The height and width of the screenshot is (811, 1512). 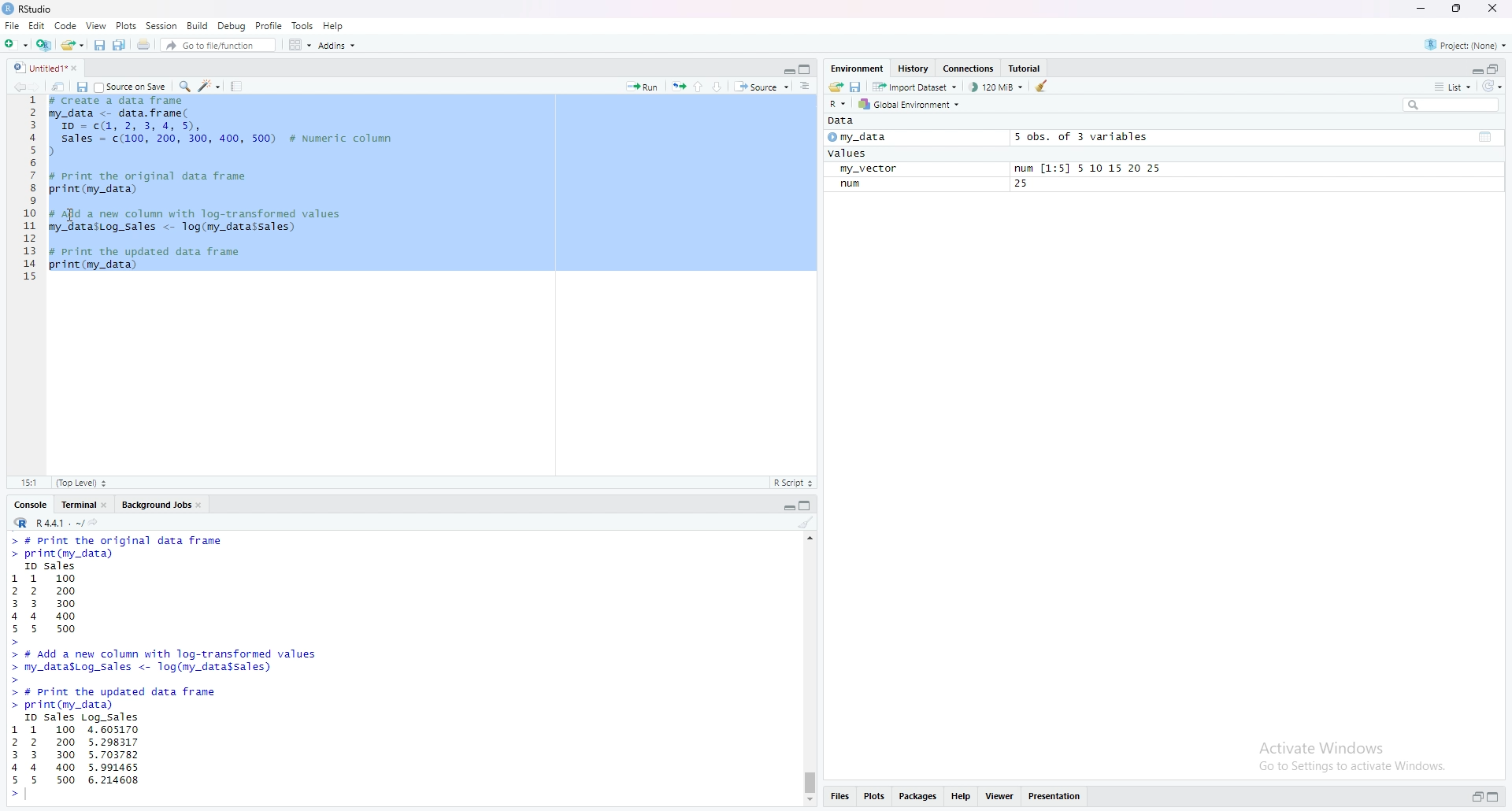 I want to click on maximize, so click(x=805, y=69).